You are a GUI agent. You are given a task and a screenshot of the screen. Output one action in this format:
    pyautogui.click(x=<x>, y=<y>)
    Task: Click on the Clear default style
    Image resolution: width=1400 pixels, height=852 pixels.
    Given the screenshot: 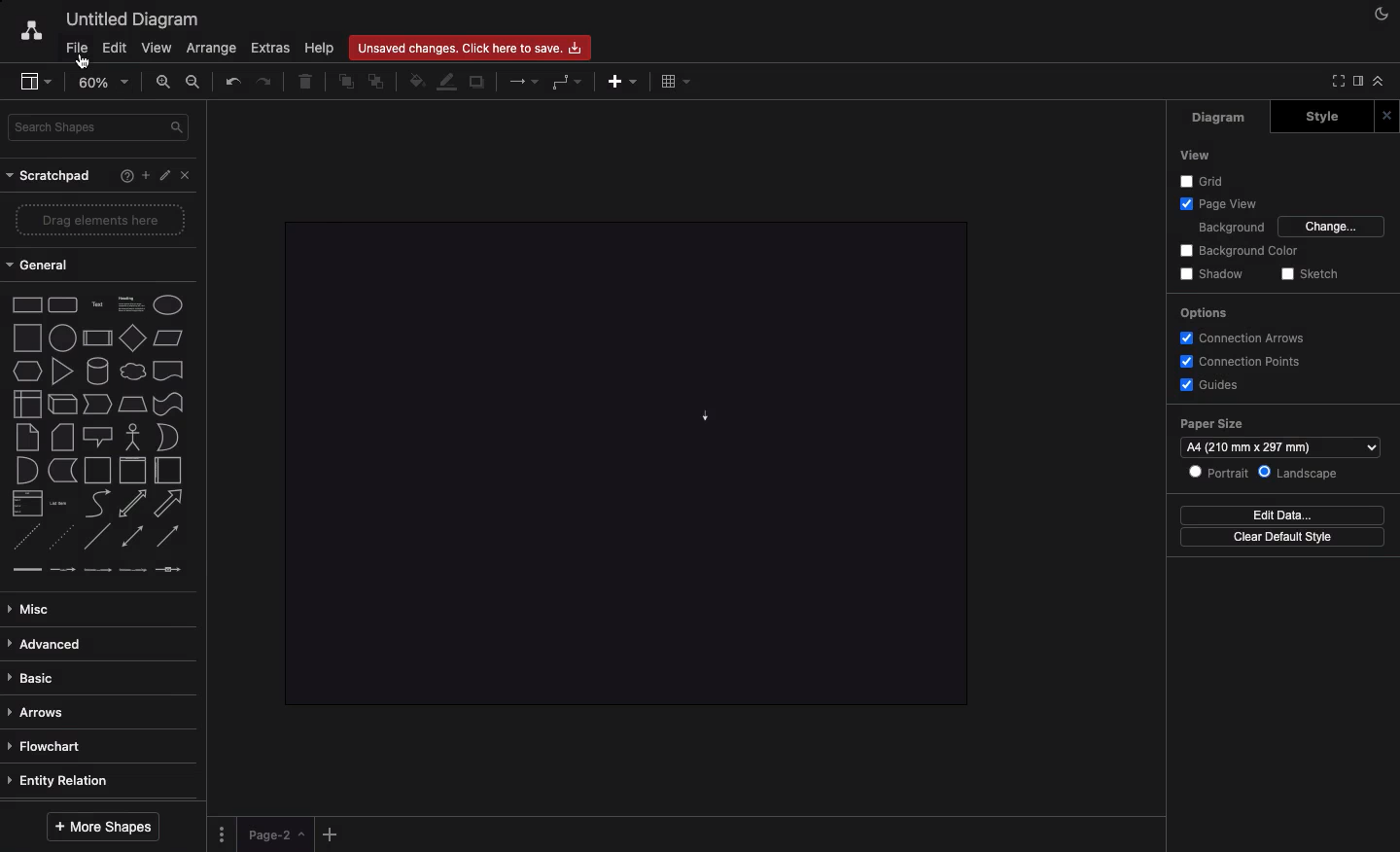 What is the action you would take?
    pyautogui.click(x=1282, y=538)
    